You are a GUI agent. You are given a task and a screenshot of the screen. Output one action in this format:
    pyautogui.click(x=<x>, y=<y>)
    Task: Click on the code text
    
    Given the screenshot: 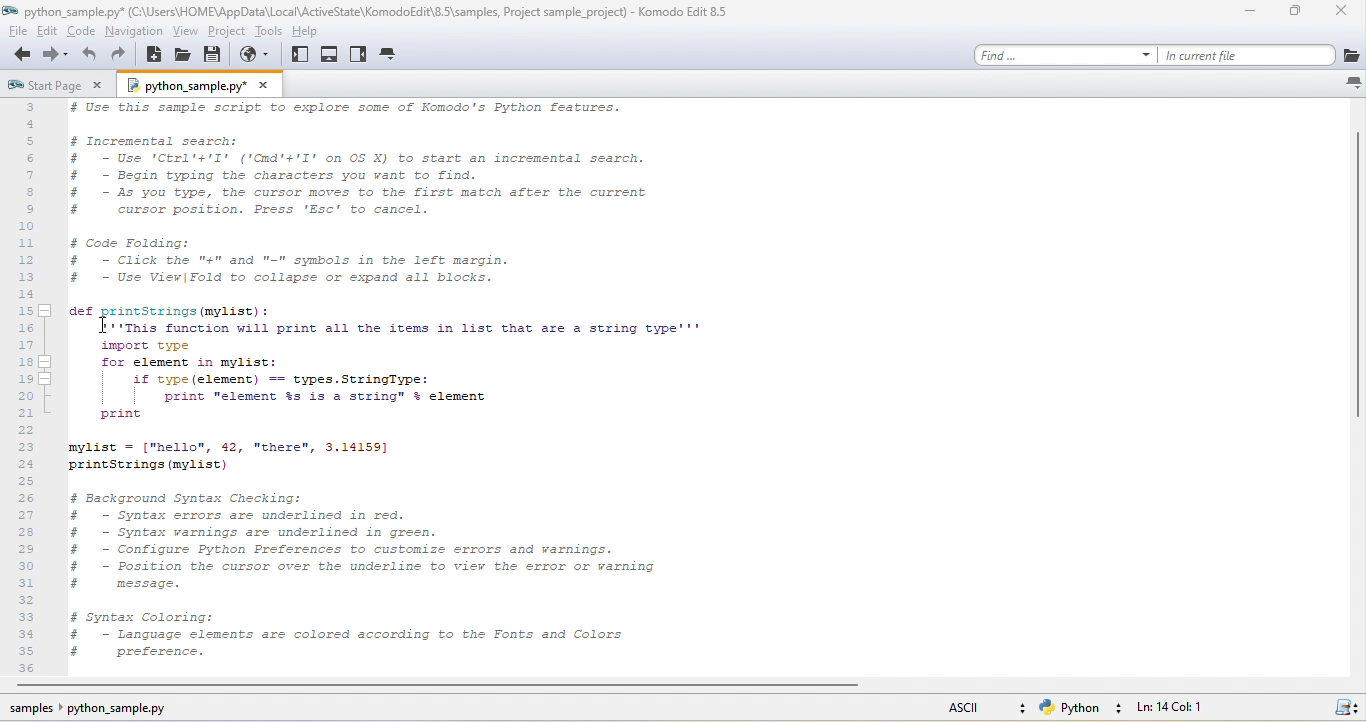 What is the action you would take?
    pyautogui.click(x=382, y=388)
    